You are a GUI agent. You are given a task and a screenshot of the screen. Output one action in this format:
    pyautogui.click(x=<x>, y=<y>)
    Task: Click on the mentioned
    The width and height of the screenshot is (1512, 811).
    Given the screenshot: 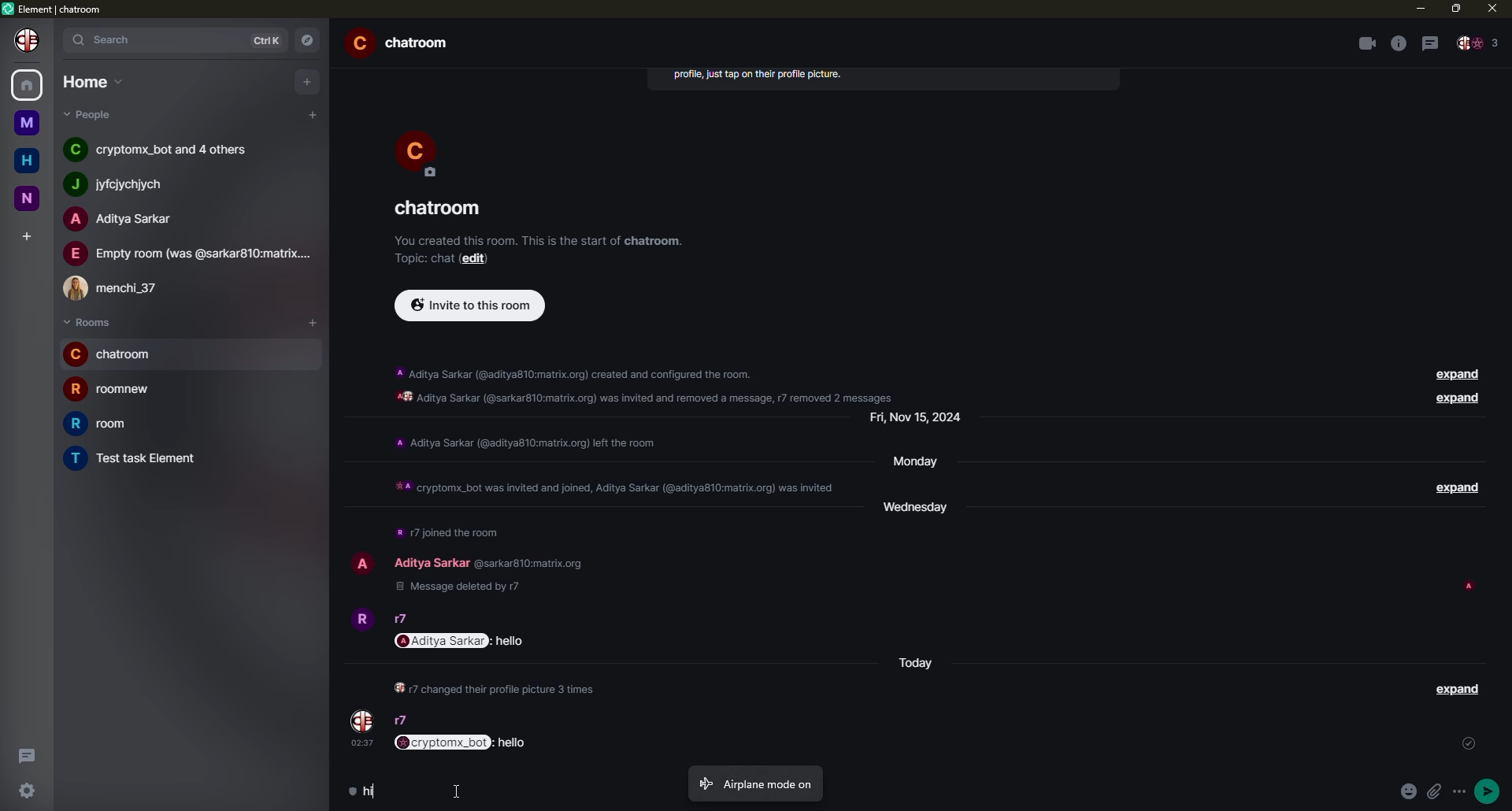 What is the action you would take?
    pyautogui.click(x=463, y=642)
    